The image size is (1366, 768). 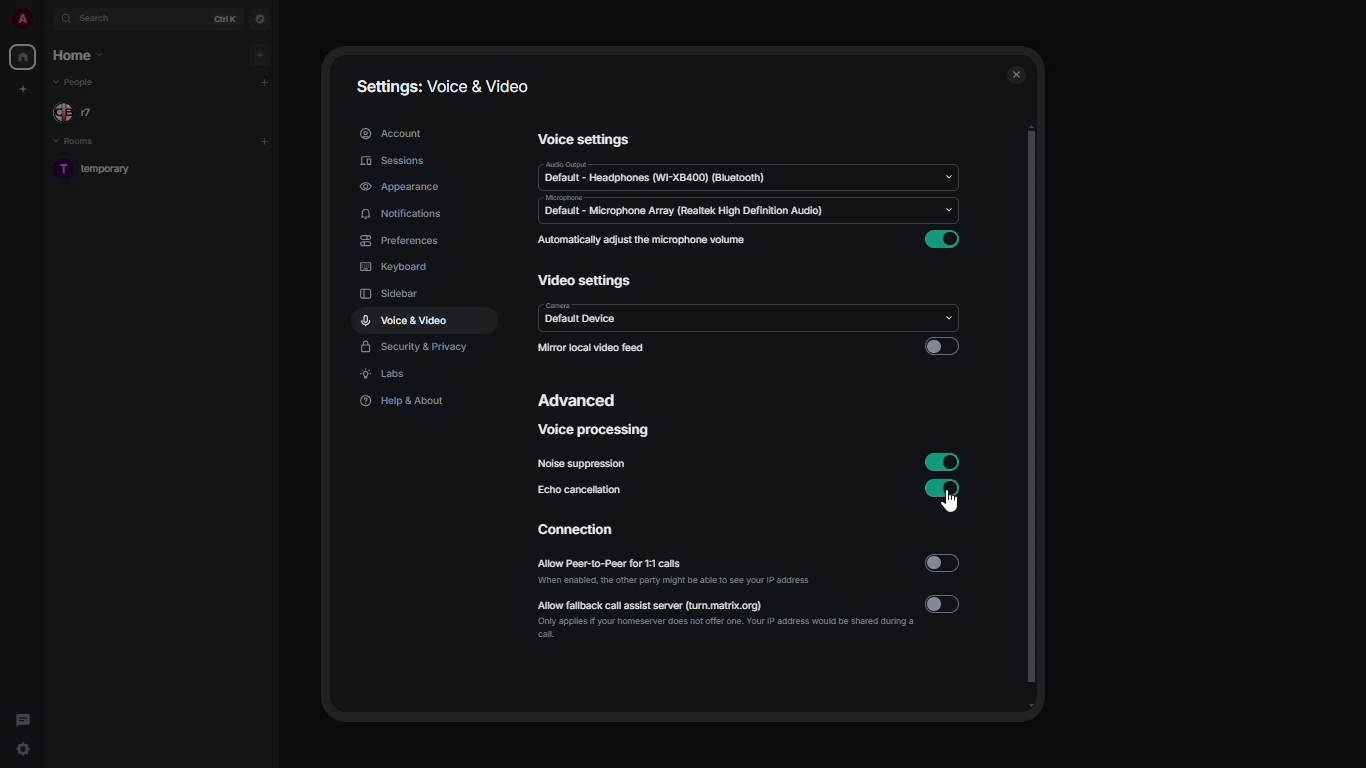 What do you see at coordinates (643, 240) in the screenshot?
I see `automatically adjust the microphone volume` at bounding box center [643, 240].